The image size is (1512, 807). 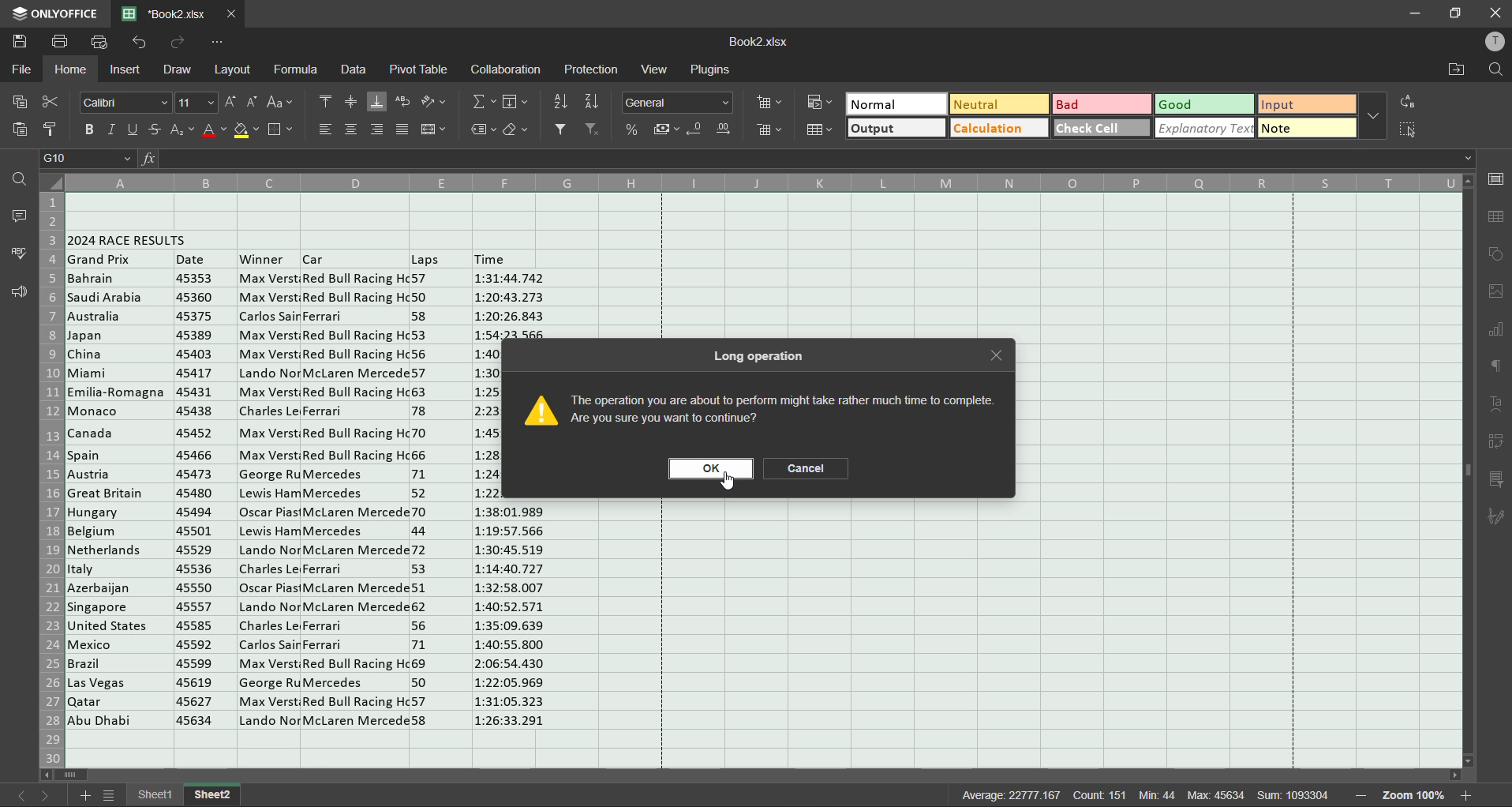 What do you see at coordinates (178, 72) in the screenshot?
I see `draw` at bounding box center [178, 72].